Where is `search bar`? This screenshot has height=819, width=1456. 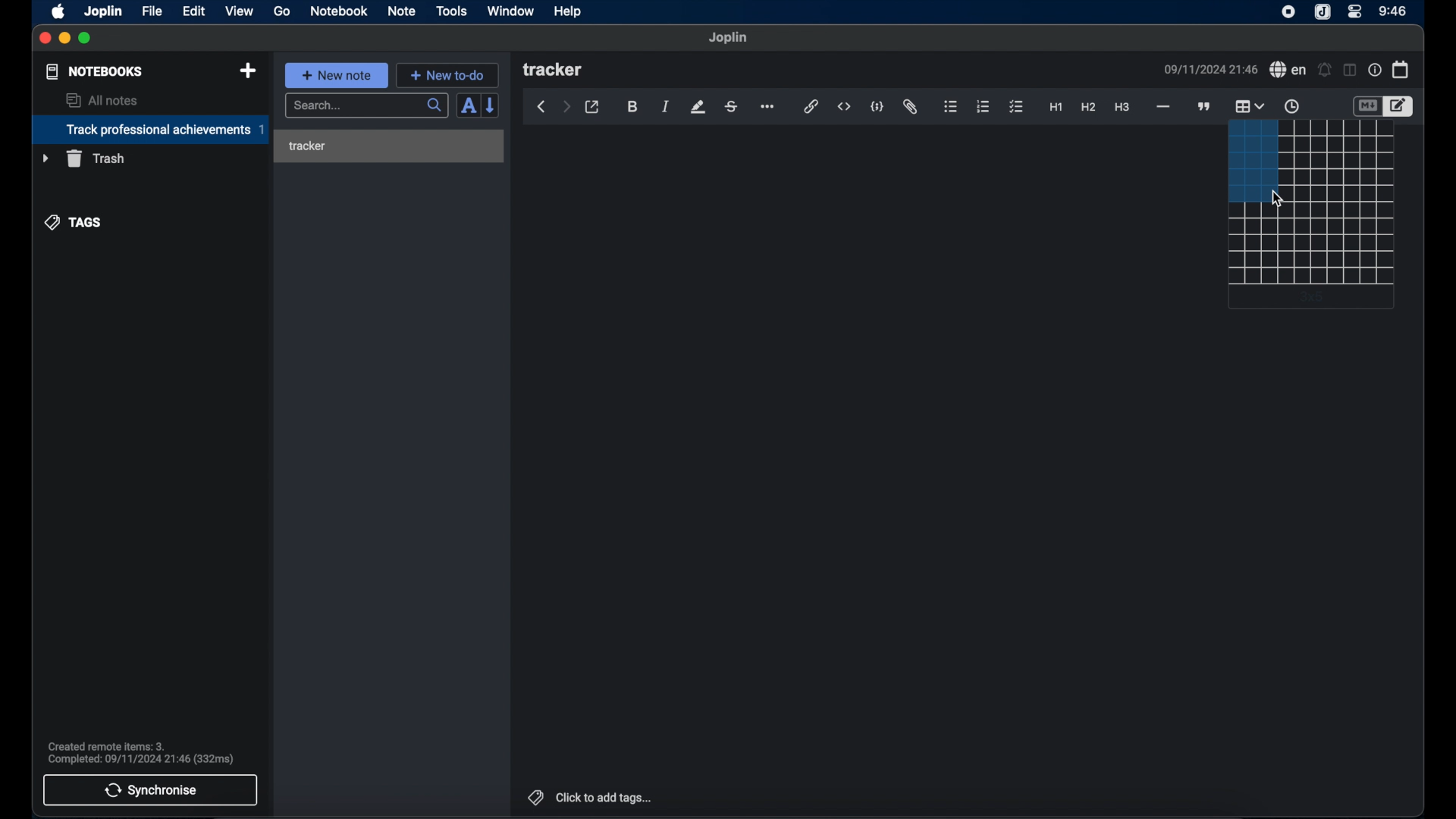 search bar is located at coordinates (366, 106).